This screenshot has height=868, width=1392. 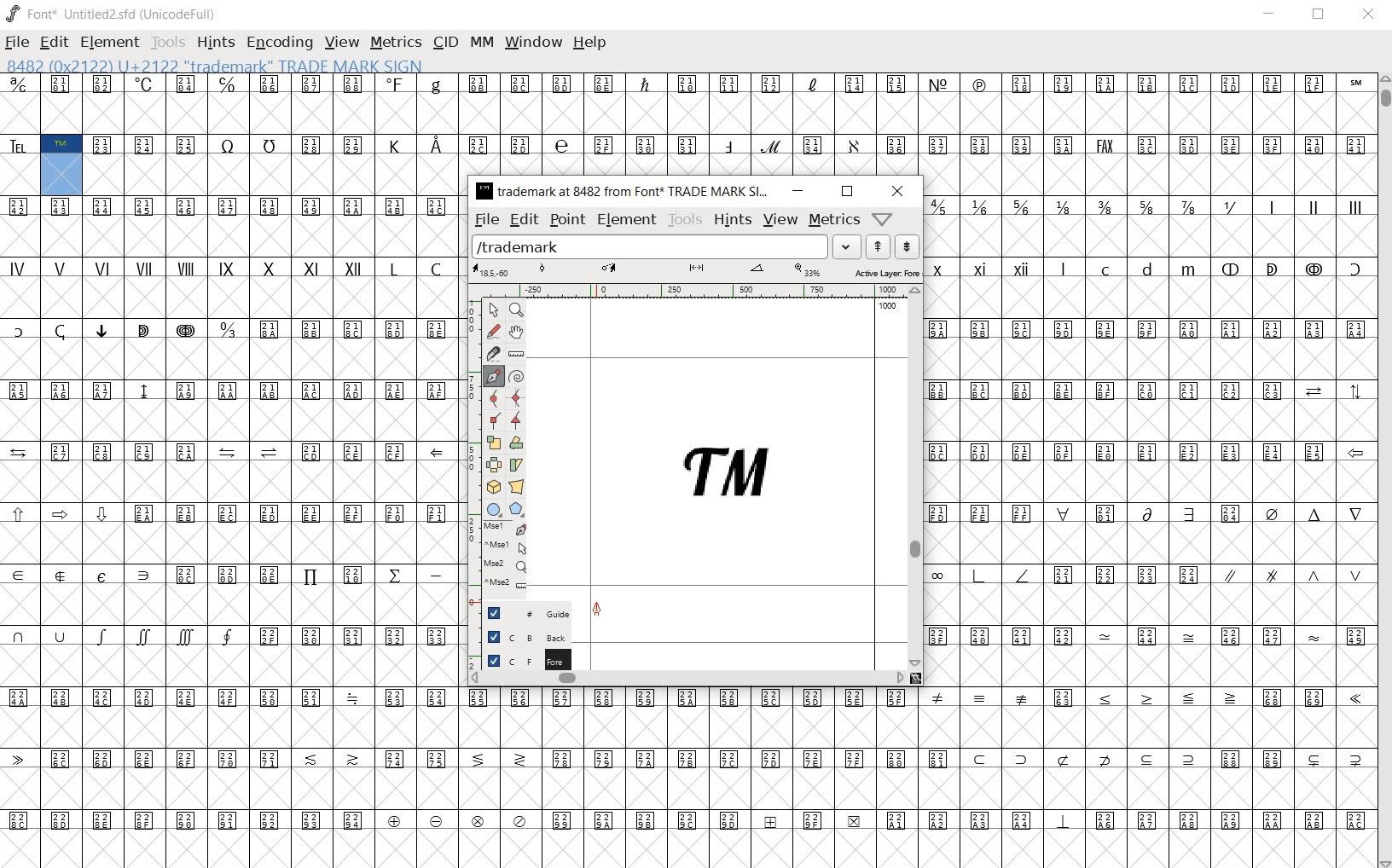 What do you see at coordinates (626, 220) in the screenshot?
I see `element` at bounding box center [626, 220].